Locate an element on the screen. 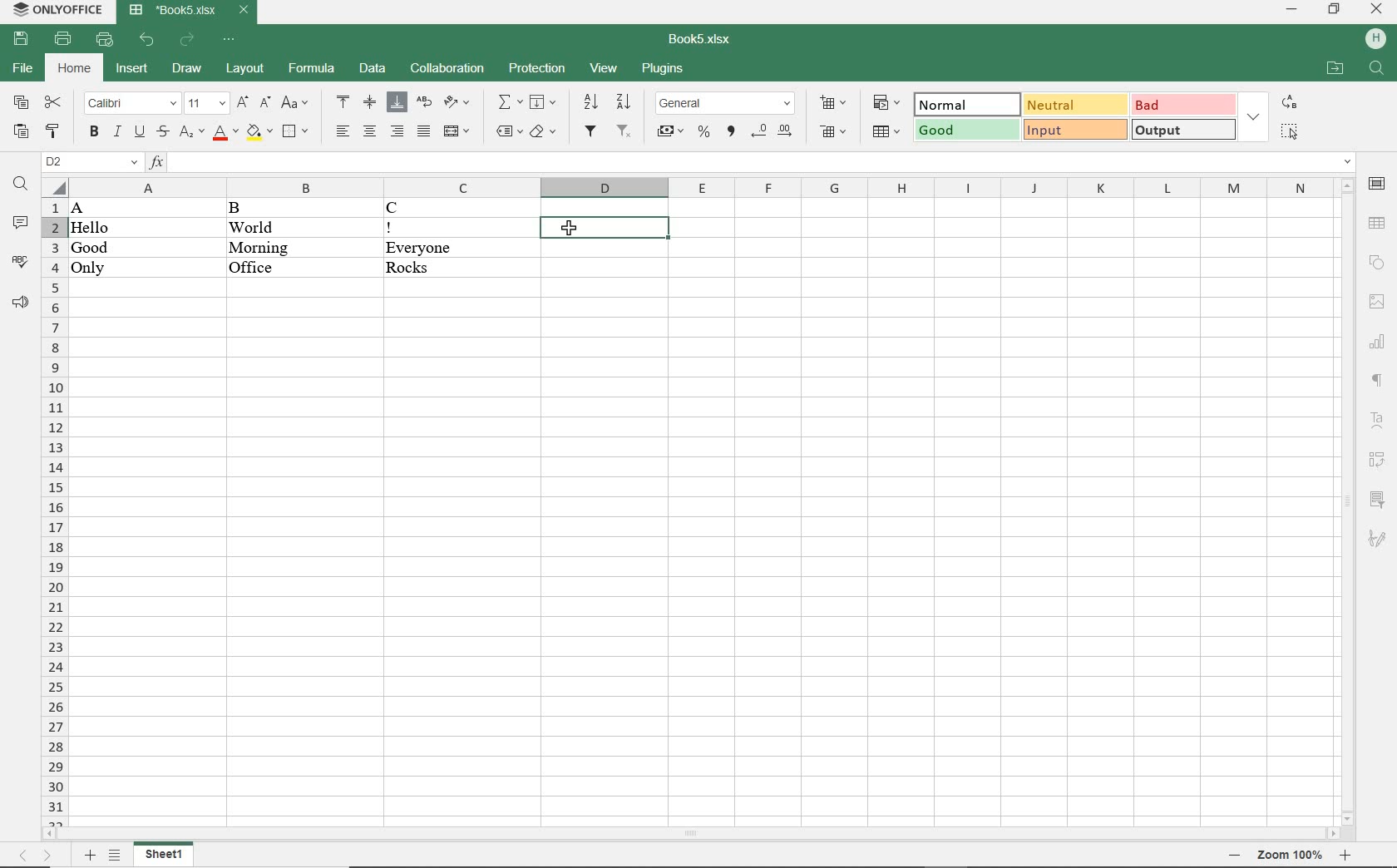  DECREMENT FONT SIZE is located at coordinates (265, 106).